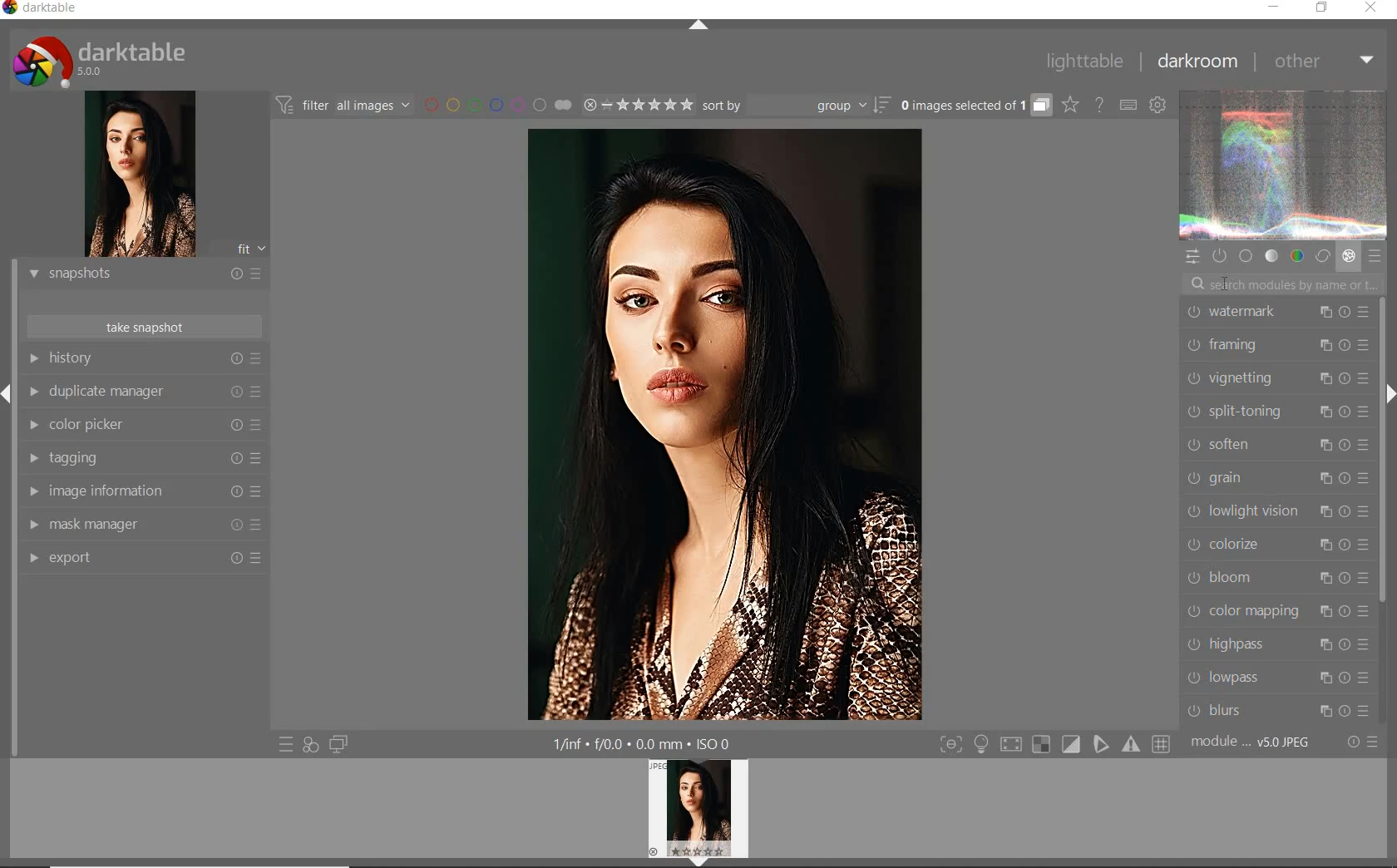  What do you see at coordinates (1348, 257) in the screenshot?
I see `effect` at bounding box center [1348, 257].